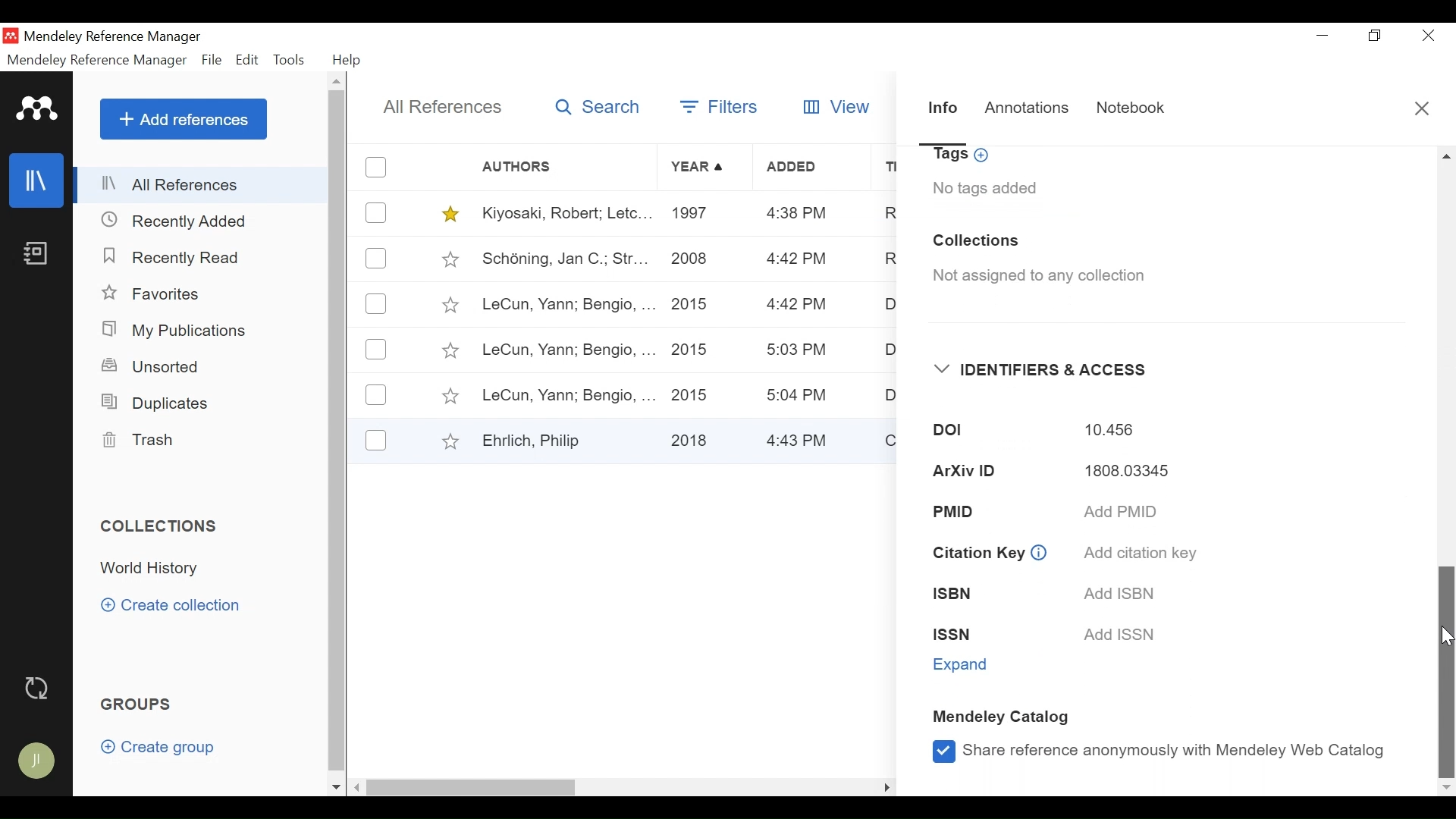 The width and height of the screenshot is (1456, 819). Describe the element at coordinates (378, 167) in the screenshot. I see `(un)select` at that location.